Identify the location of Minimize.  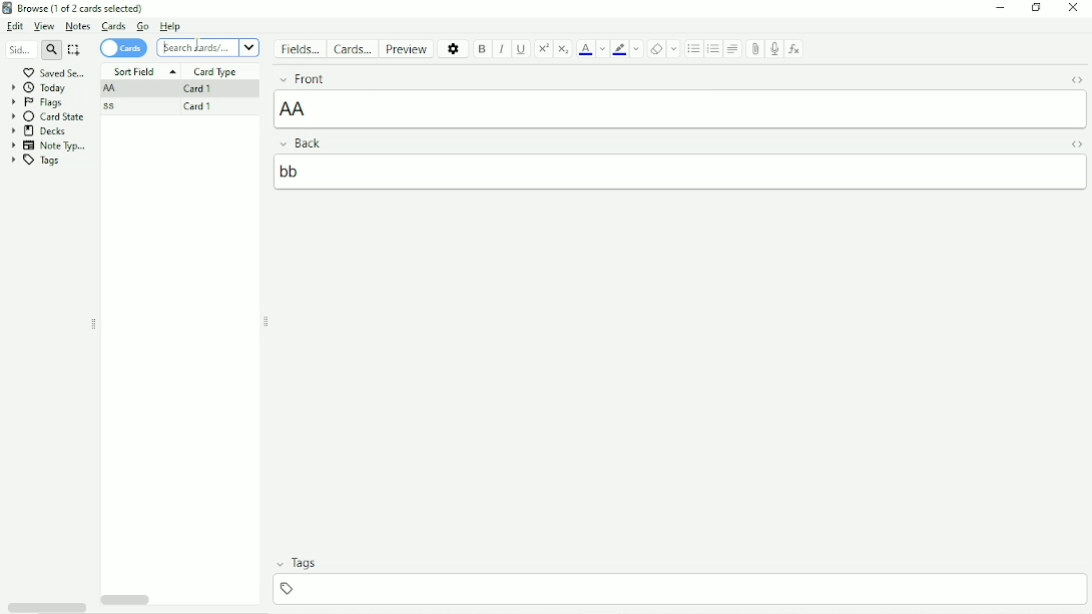
(999, 8).